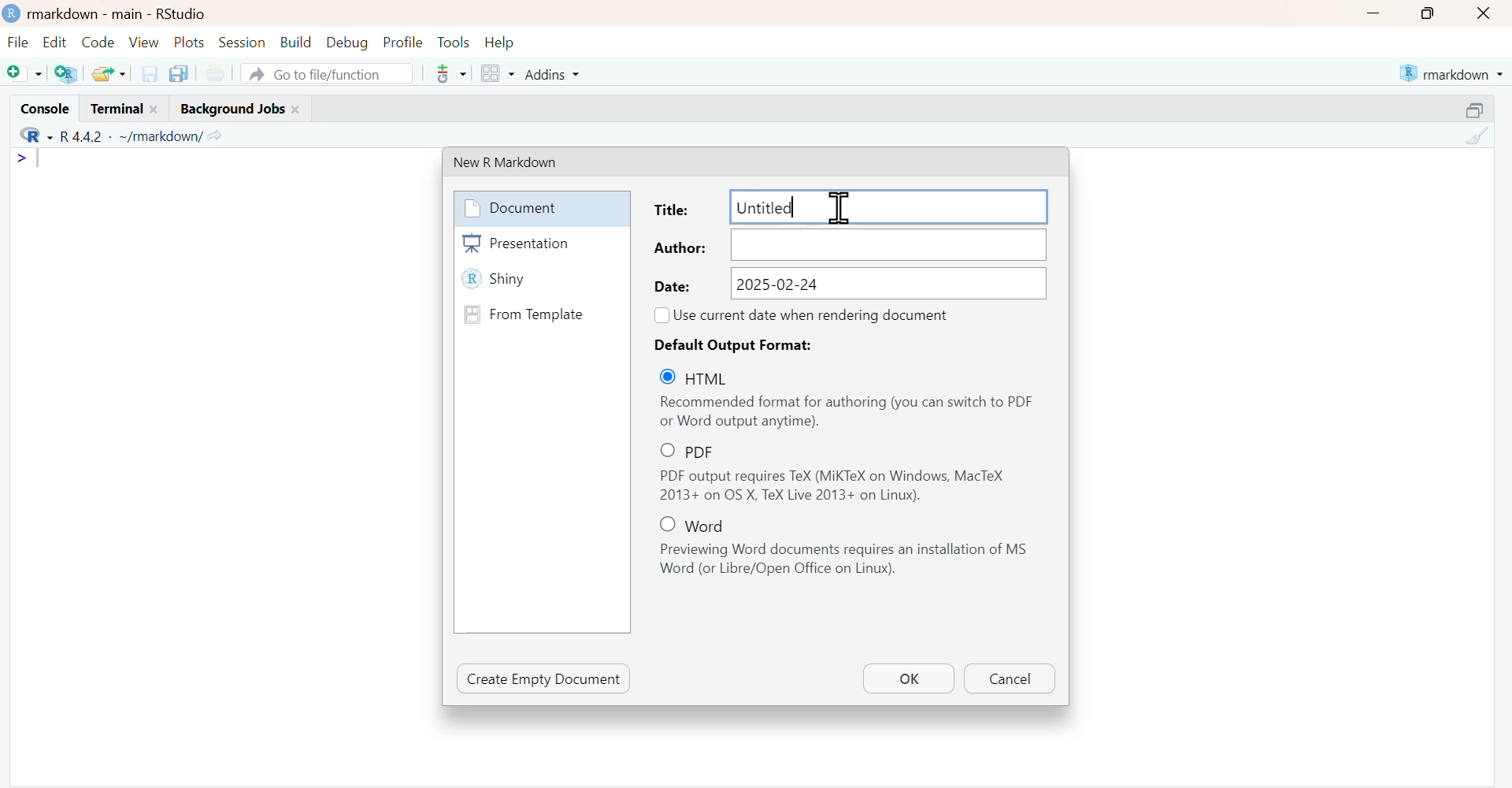 This screenshot has height=788, width=1512. What do you see at coordinates (327, 72) in the screenshot?
I see `Go to file/function` at bounding box center [327, 72].